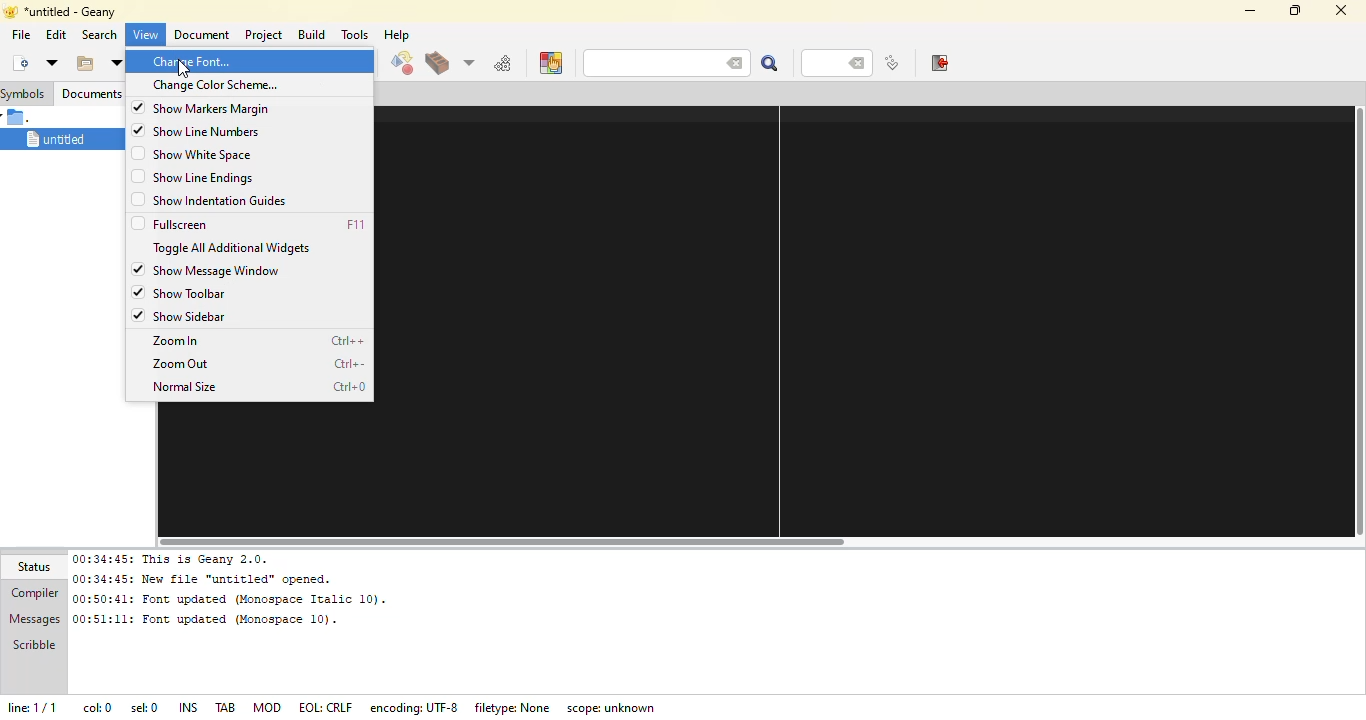  What do you see at coordinates (212, 108) in the screenshot?
I see `show markers margin` at bounding box center [212, 108].